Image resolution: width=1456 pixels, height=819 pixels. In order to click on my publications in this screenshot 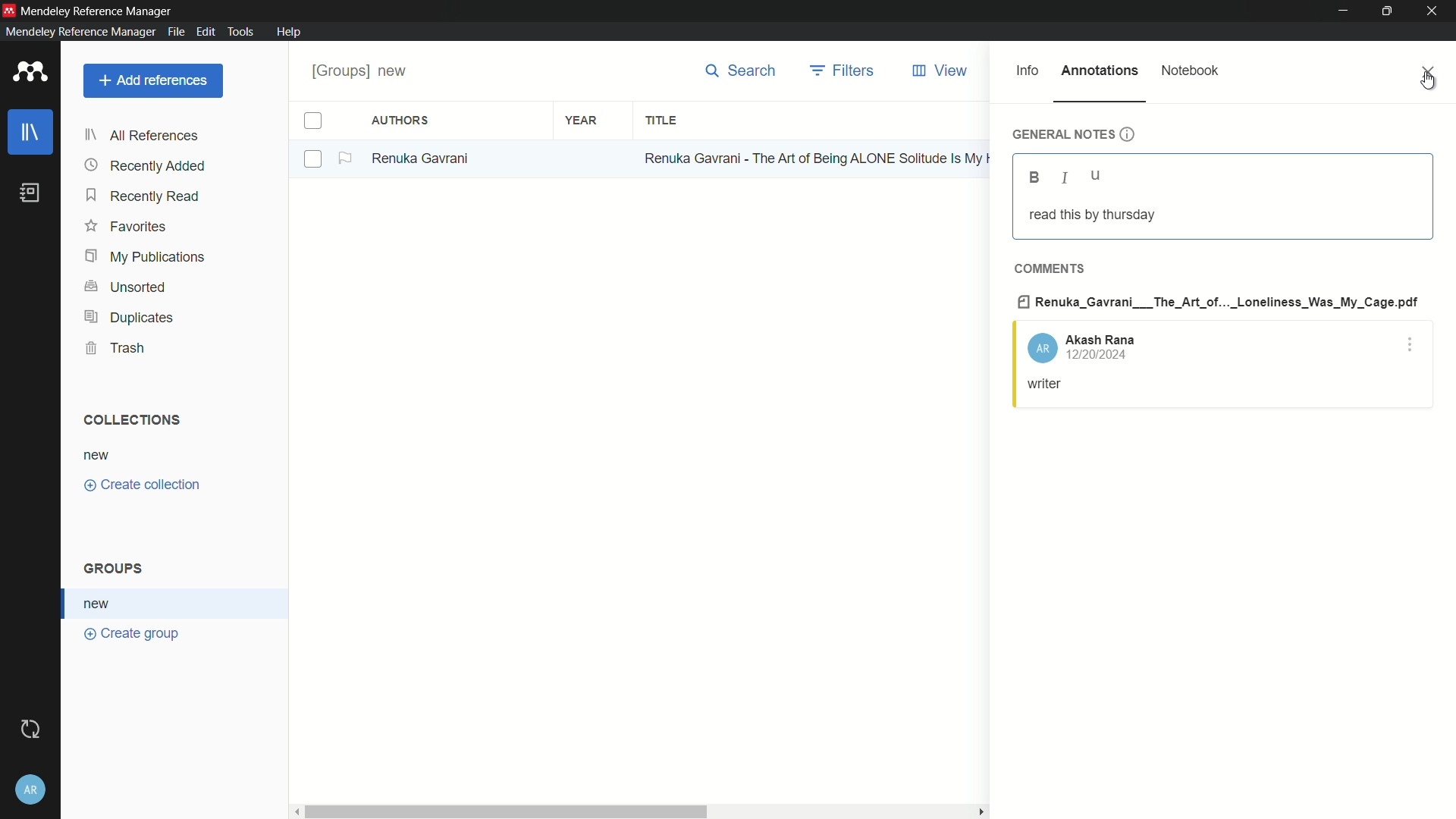, I will do `click(145, 257)`.